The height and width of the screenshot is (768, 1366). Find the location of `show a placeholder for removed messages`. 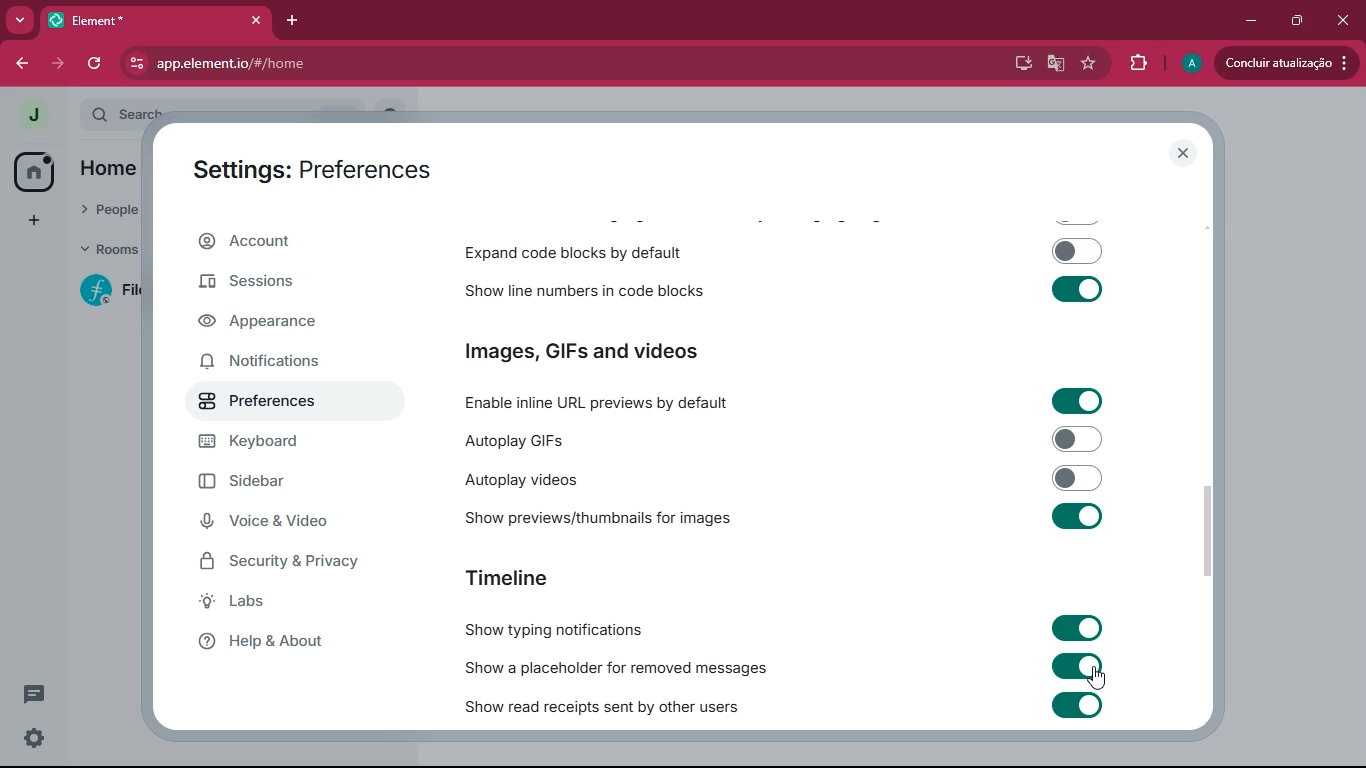

show a placeholder for removed messages is located at coordinates (626, 666).